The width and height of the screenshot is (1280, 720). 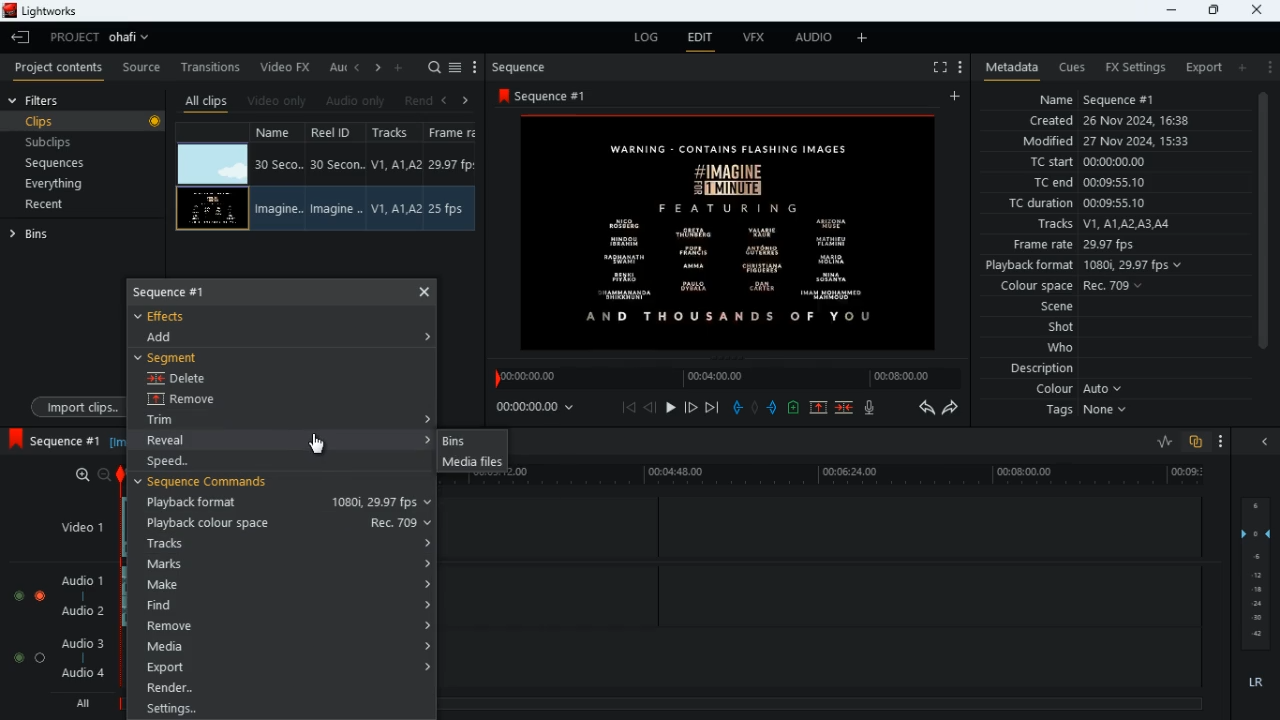 What do you see at coordinates (1157, 442) in the screenshot?
I see `rate` at bounding box center [1157, 442].